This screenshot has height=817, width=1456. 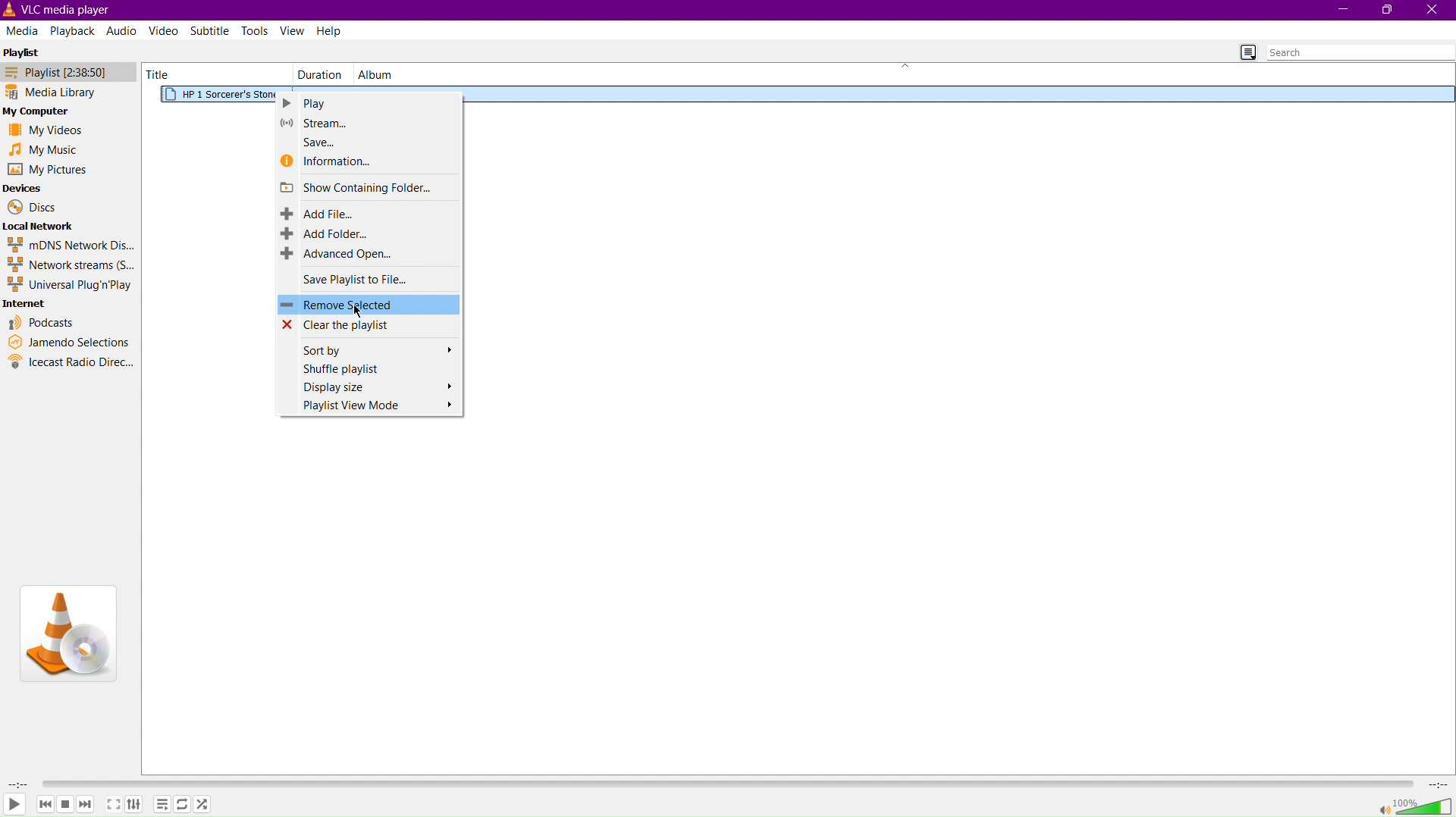 What do you see at coordinates (86, 805) in the screenshot?
I see `Skip Forward` at bounding box center [86, 805].